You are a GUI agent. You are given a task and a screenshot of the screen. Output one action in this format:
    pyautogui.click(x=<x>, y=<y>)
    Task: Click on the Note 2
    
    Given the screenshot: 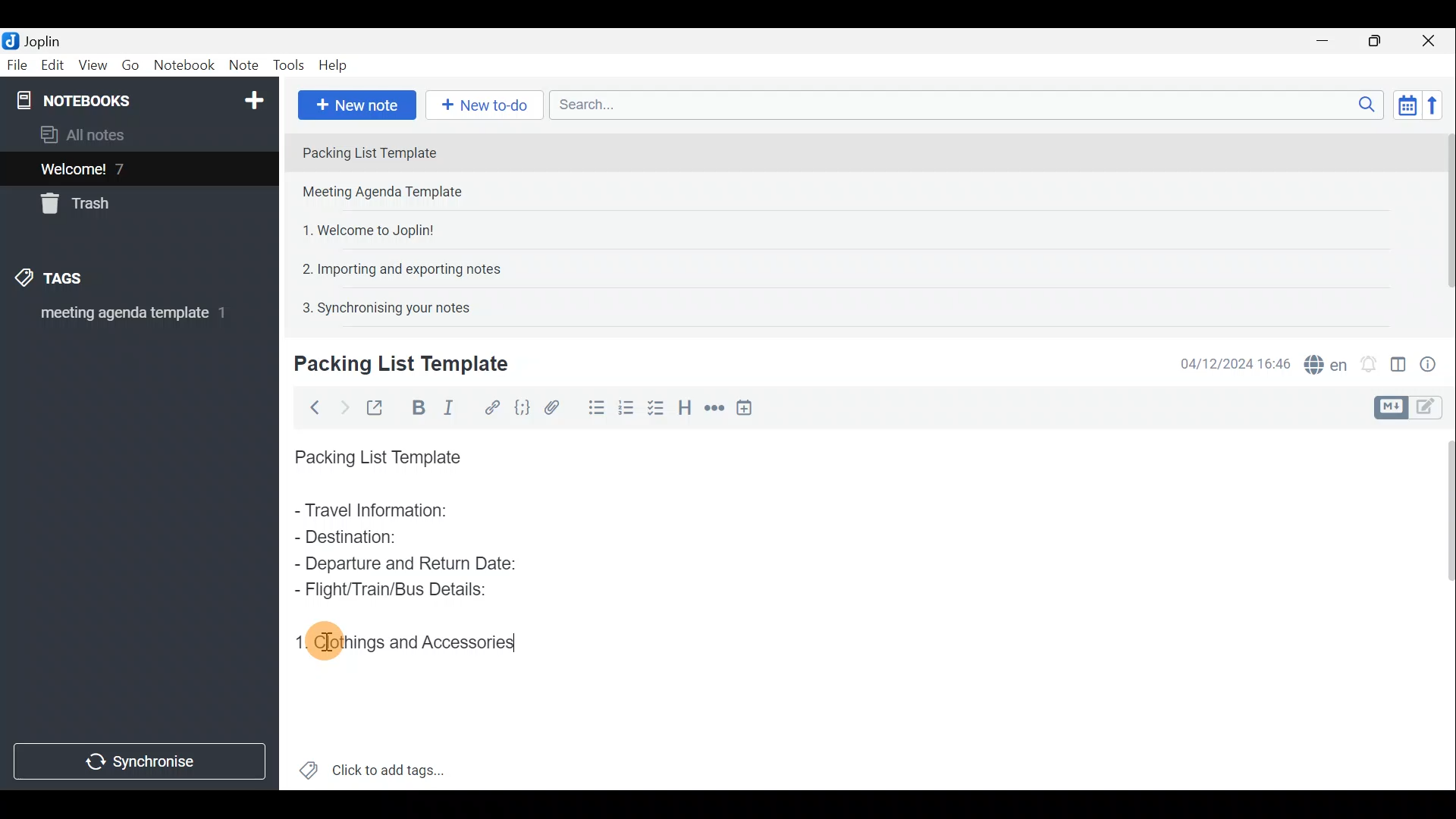 What is the action you would take?
    pyautogui.click(x=397, y=193)
    